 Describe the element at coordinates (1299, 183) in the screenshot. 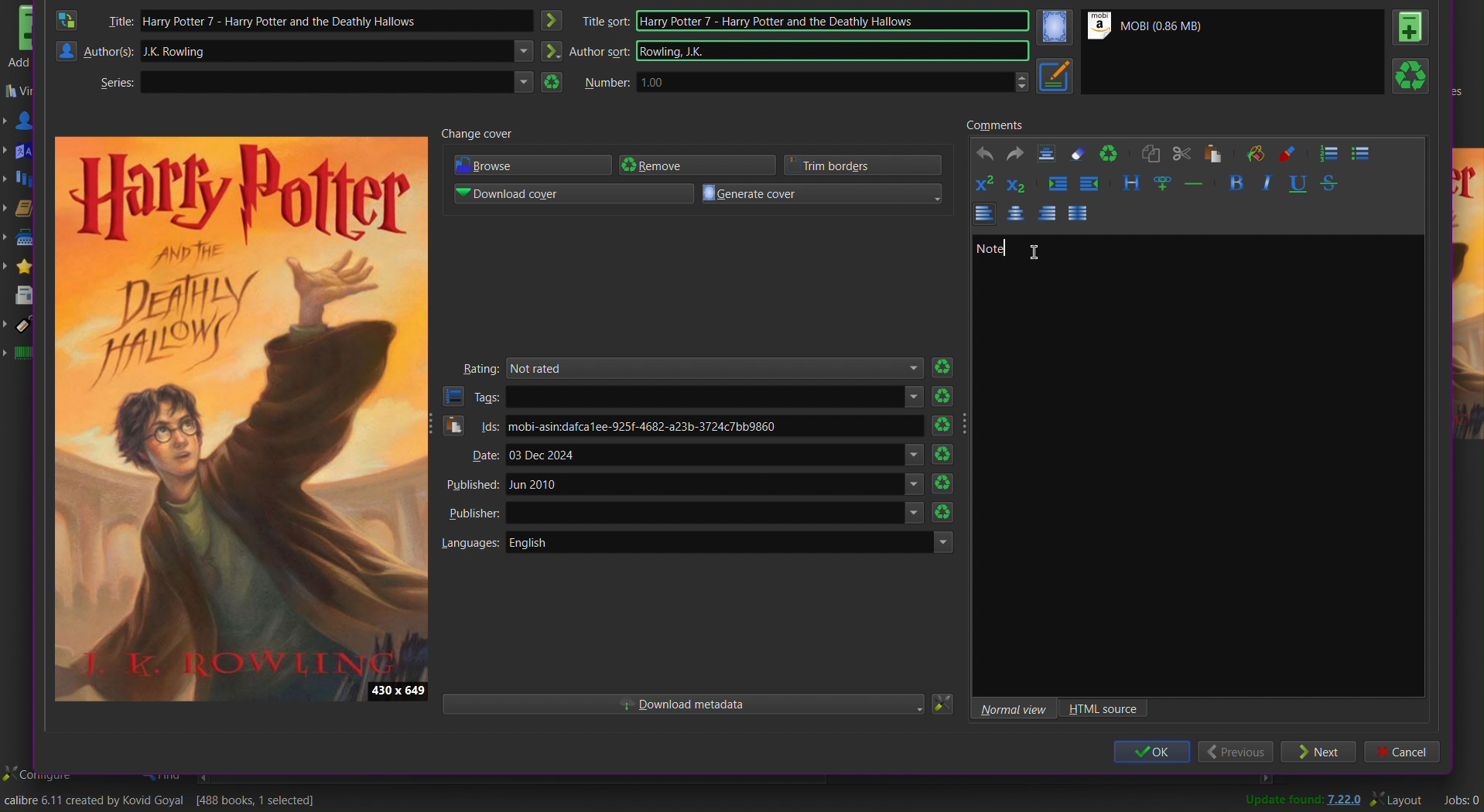

I see `Underline` at that location.